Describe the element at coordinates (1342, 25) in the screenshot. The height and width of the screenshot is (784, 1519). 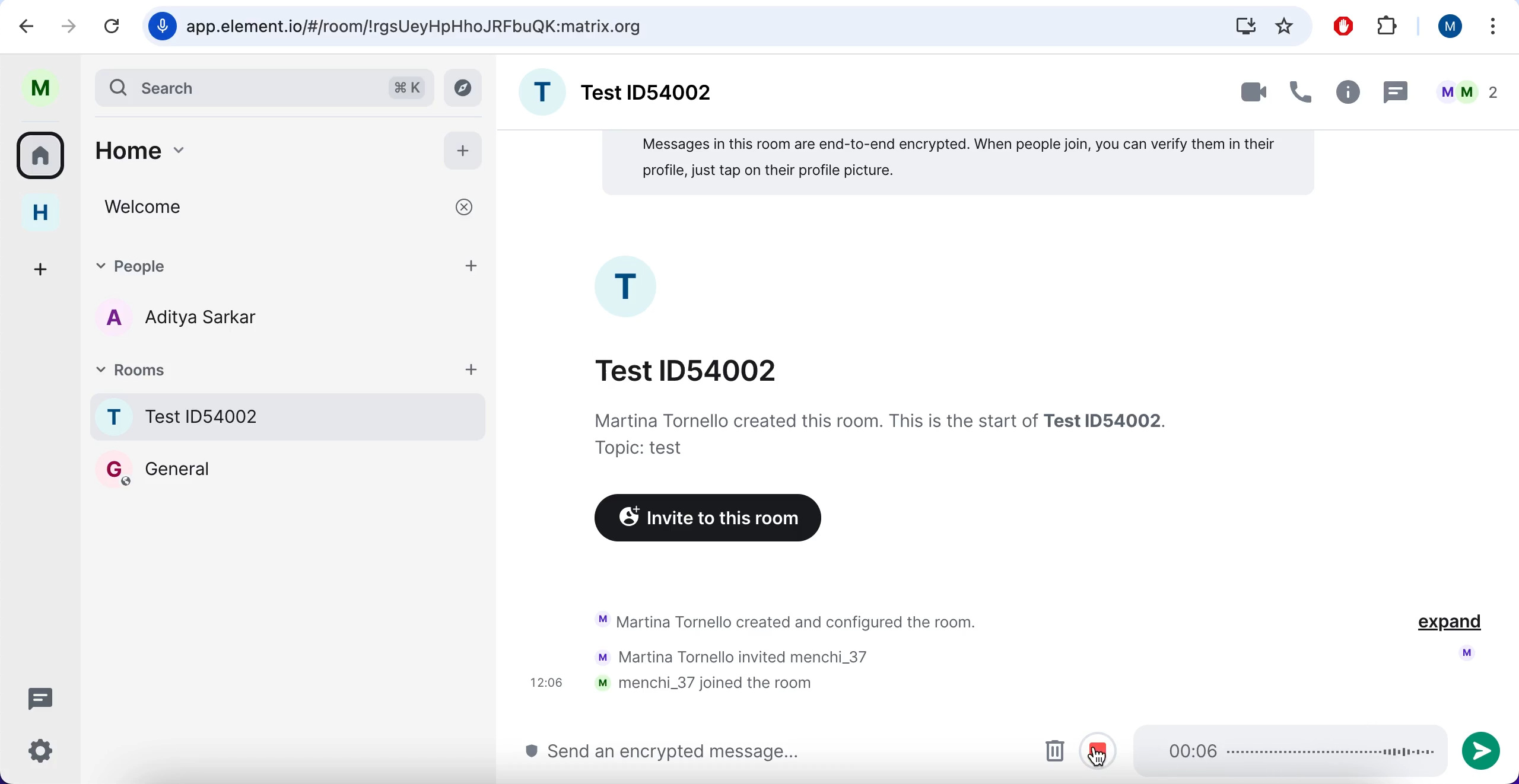
I see `ad block` at that location.